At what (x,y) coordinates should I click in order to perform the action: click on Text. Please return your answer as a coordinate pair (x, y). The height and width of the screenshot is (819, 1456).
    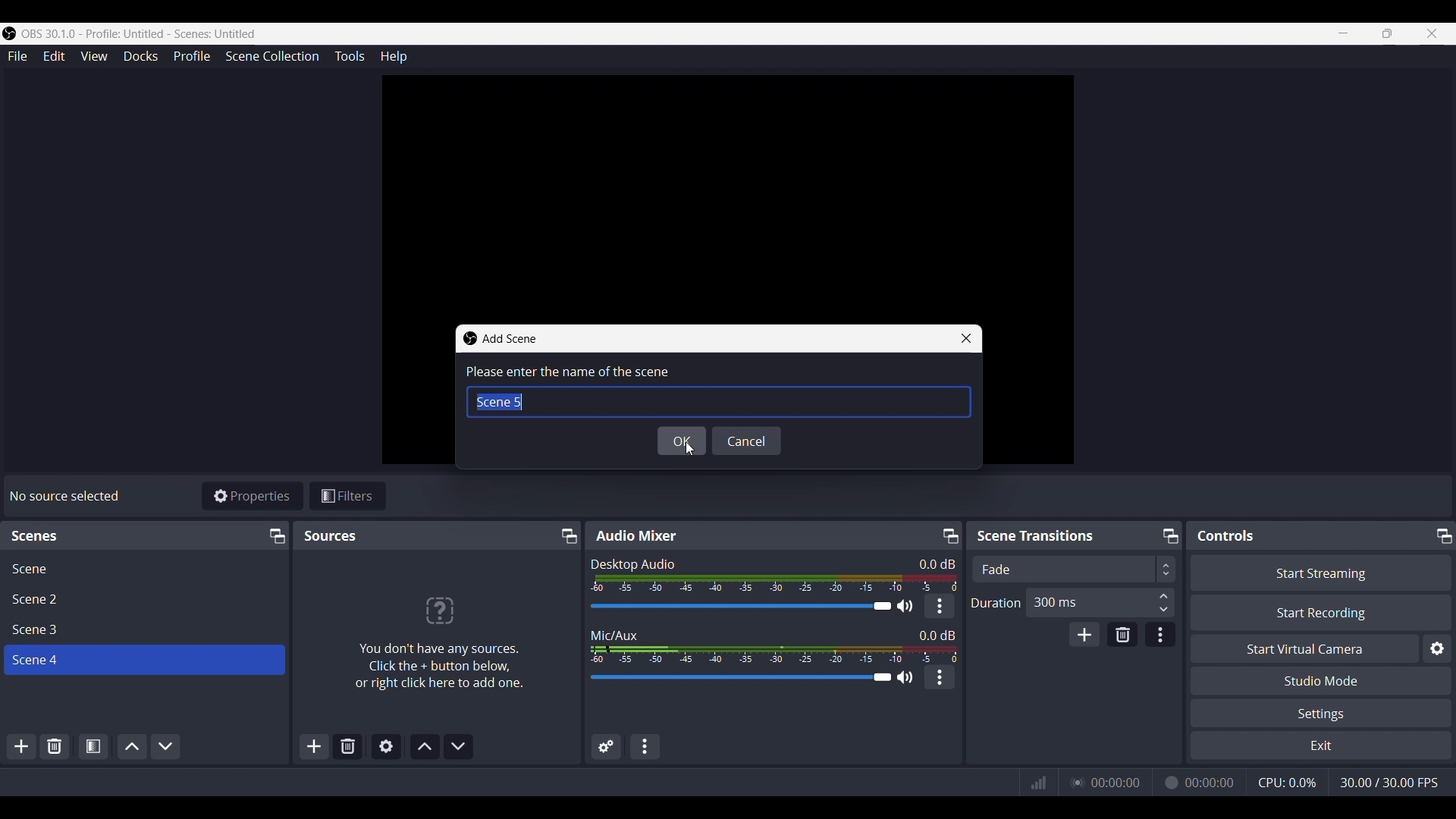
    Looking at the image, I should click on (937, 633).